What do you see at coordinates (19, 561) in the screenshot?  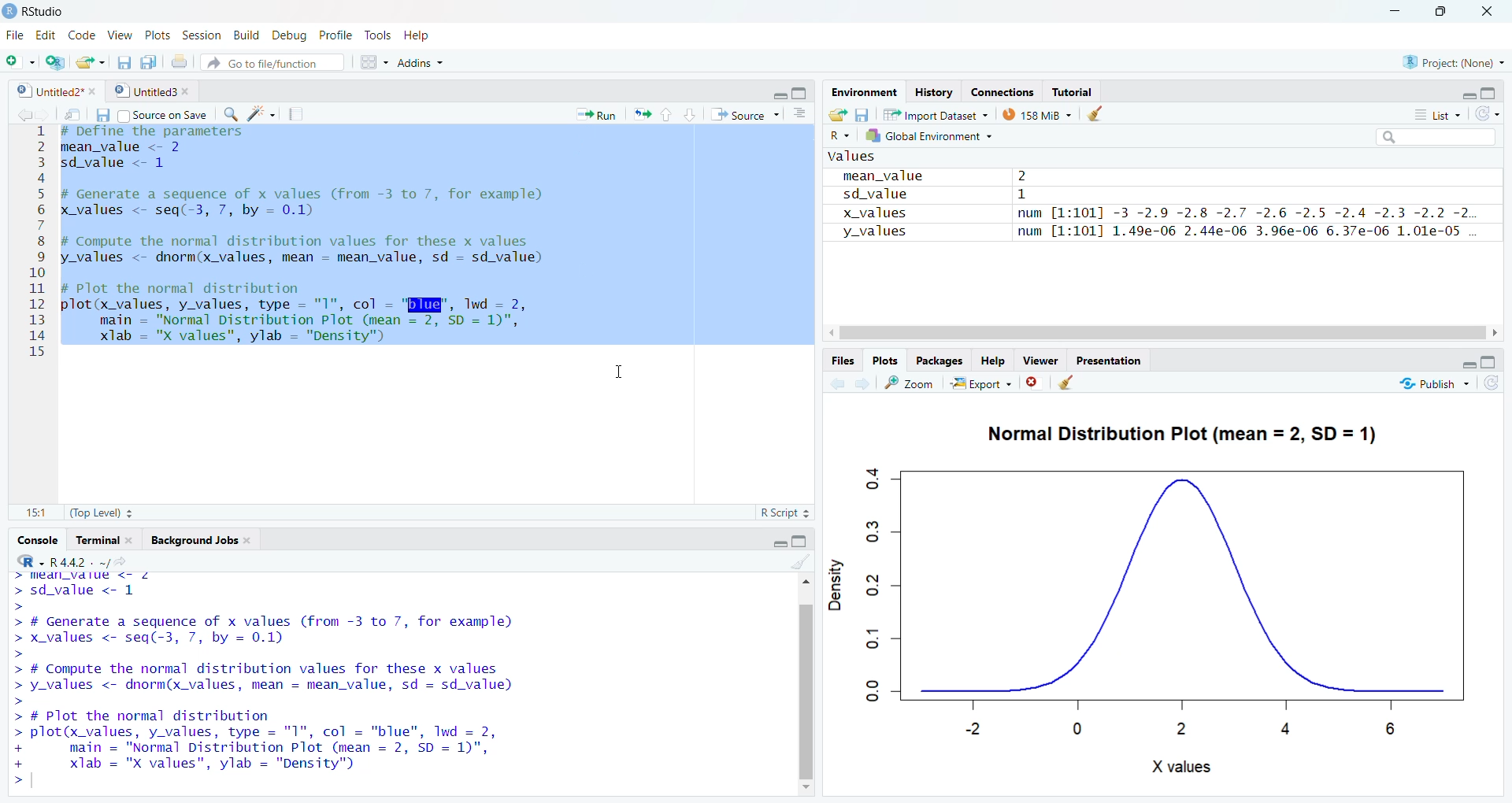 I see `Language` at bounding box center [19, 561].